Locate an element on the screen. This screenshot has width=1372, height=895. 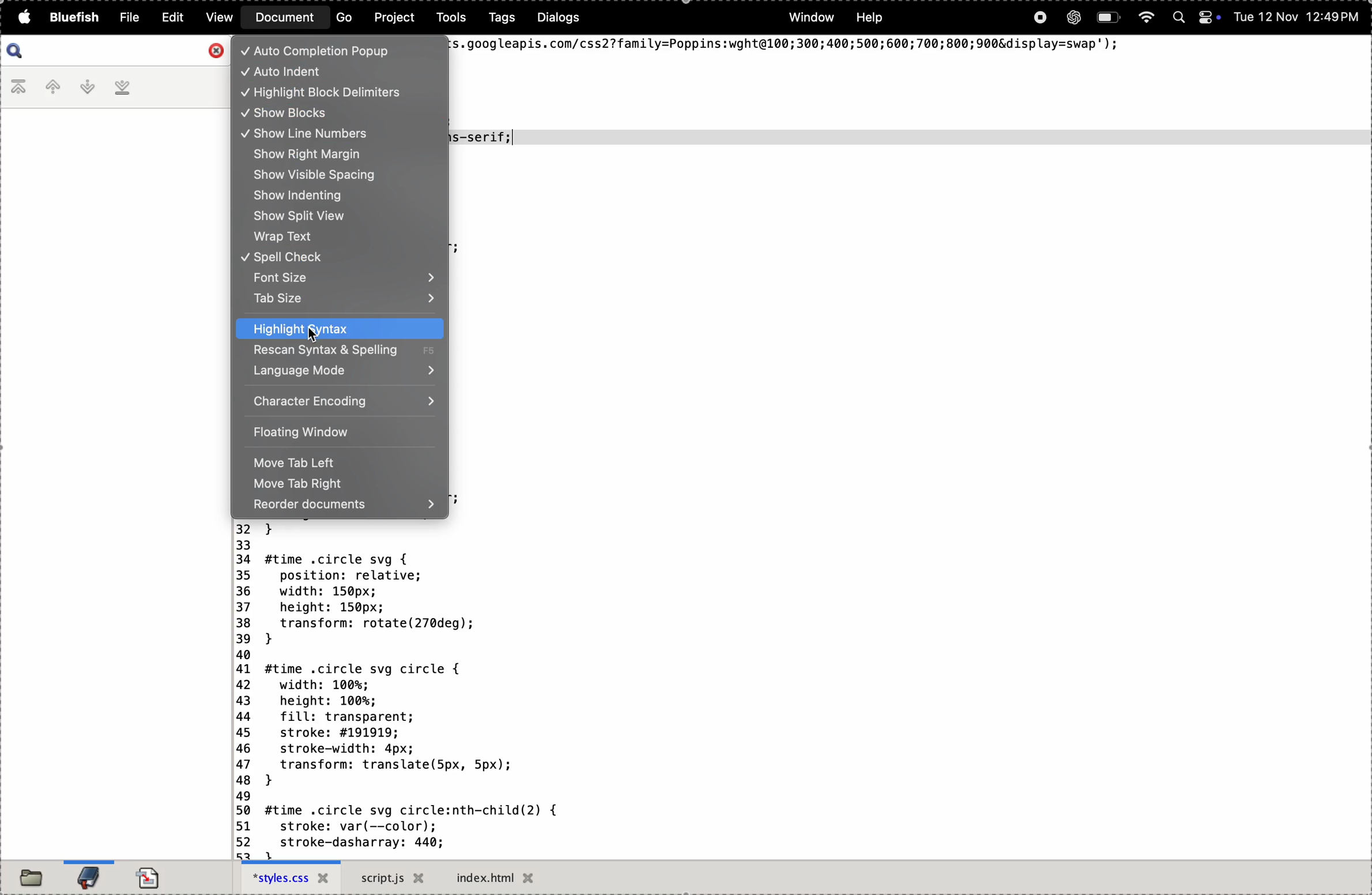
edit is located at coordinates (174, 17).